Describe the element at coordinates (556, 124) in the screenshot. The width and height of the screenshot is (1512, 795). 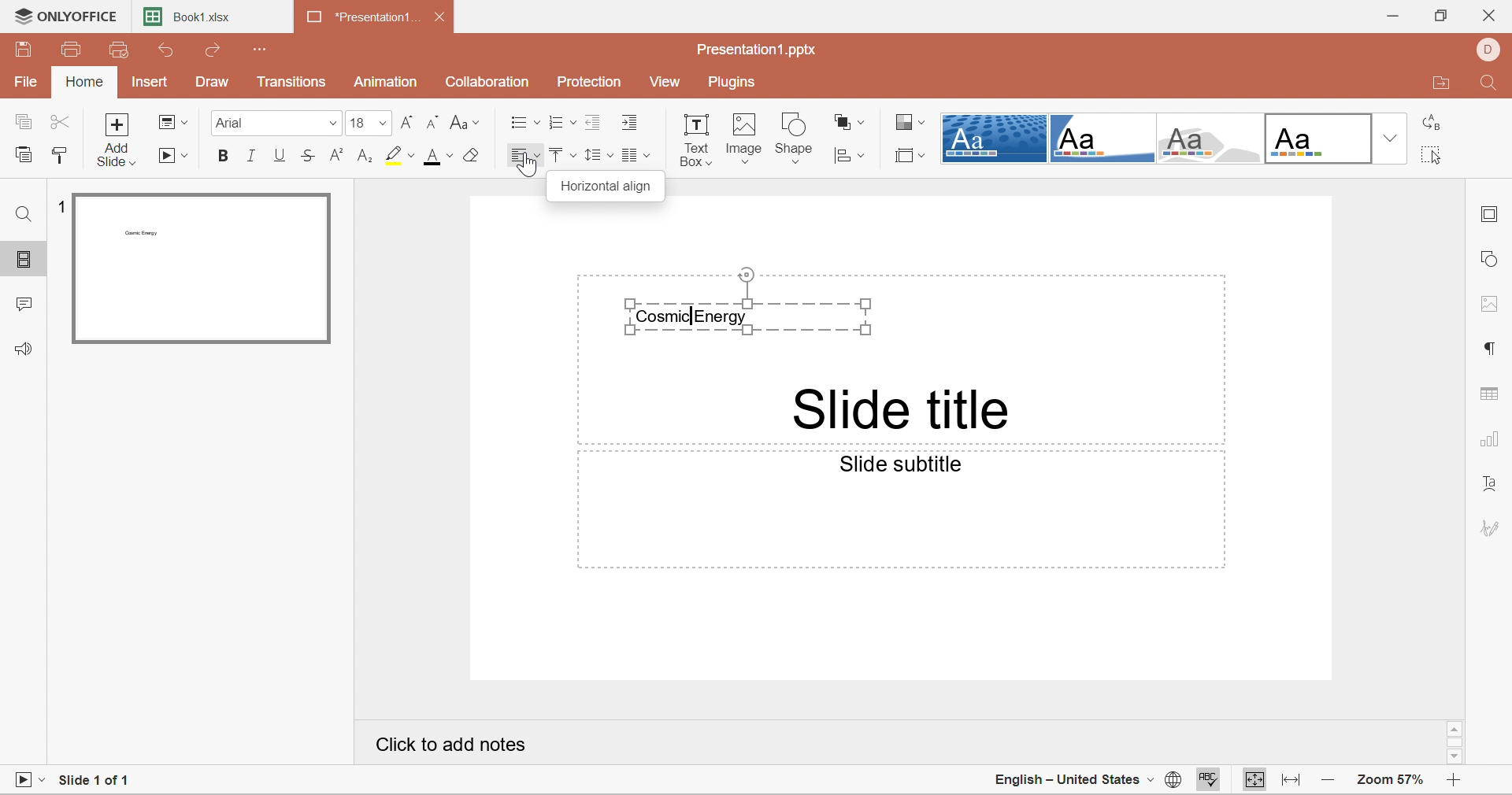
I see `Numbering` at that location.